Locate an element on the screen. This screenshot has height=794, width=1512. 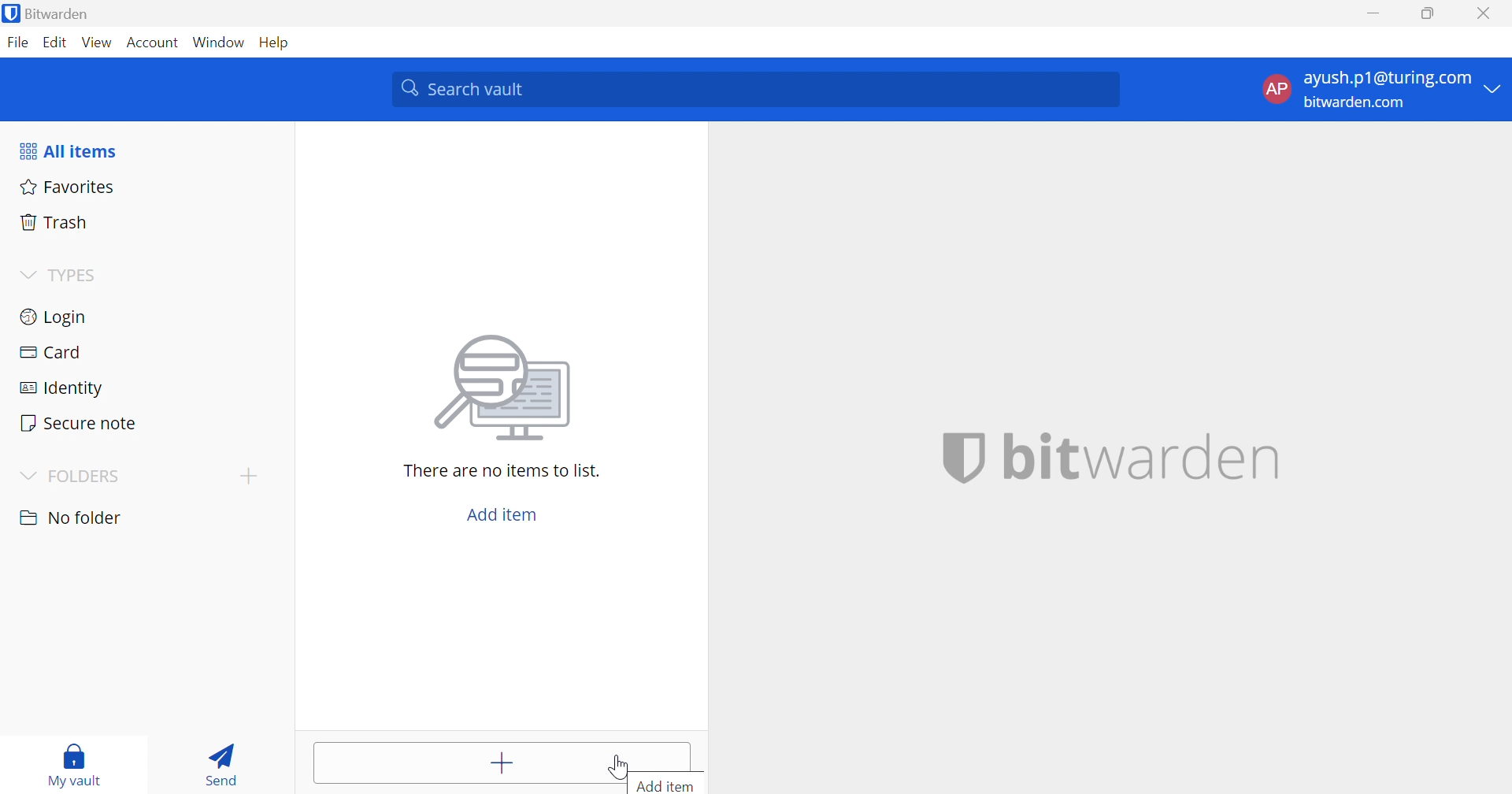
Card is located at coordinates (50, 352).